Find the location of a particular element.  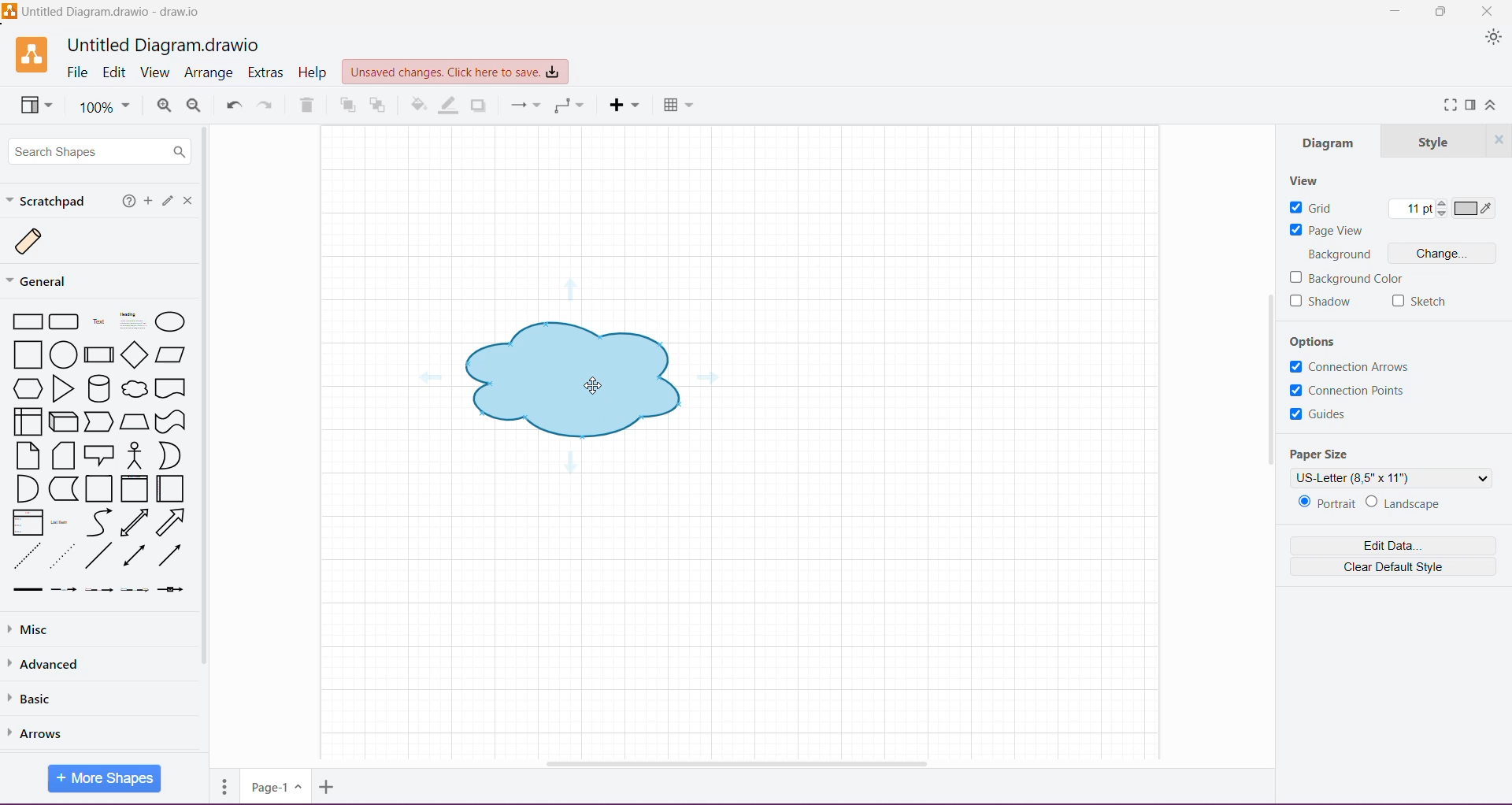

Application Logo is located at coordinates (33, 54).